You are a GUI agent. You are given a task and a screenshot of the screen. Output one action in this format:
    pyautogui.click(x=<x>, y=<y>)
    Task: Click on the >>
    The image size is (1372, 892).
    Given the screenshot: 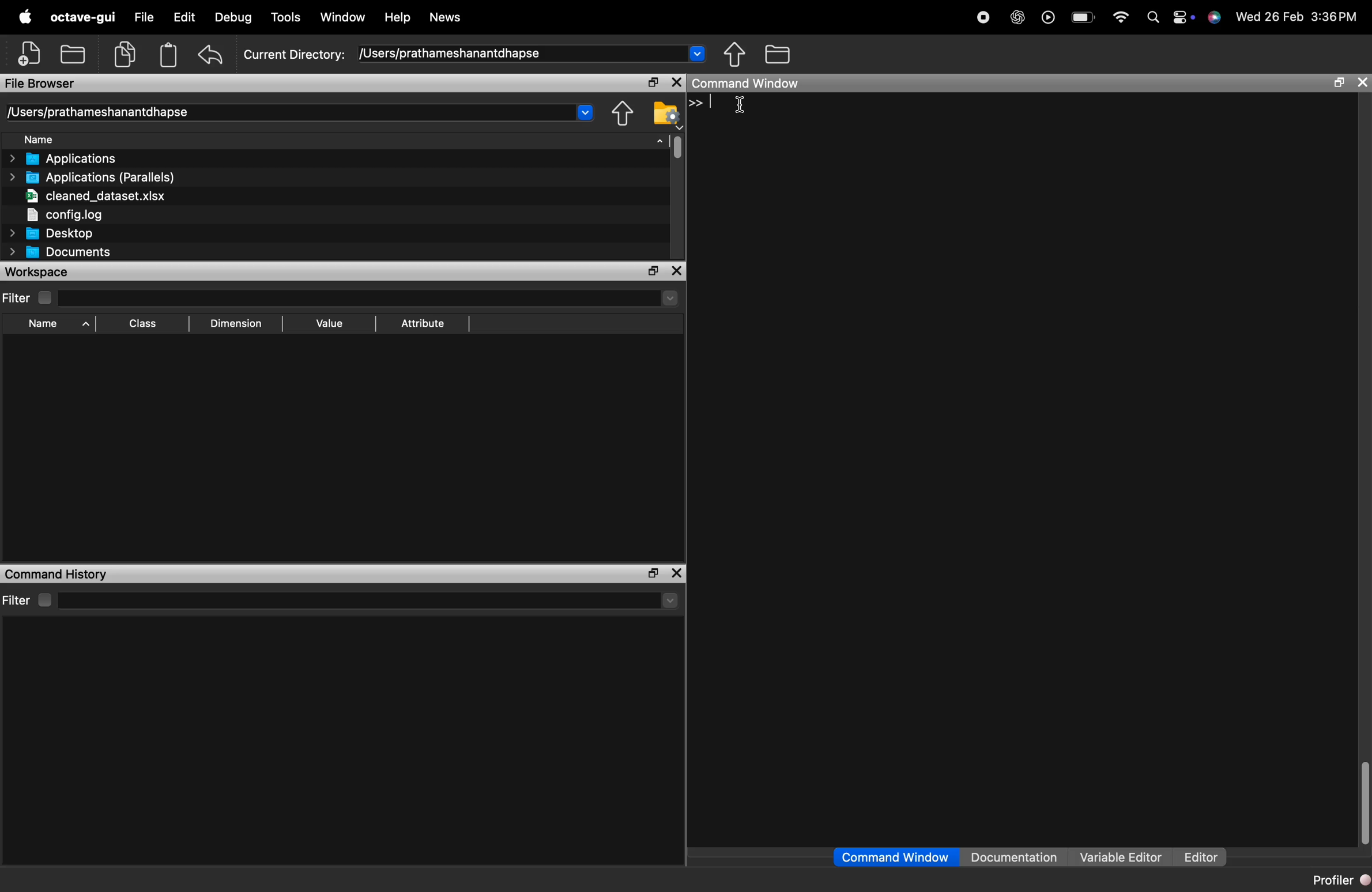 What is the action you would take?
    pyautogui.click(x=702, y=102)
    